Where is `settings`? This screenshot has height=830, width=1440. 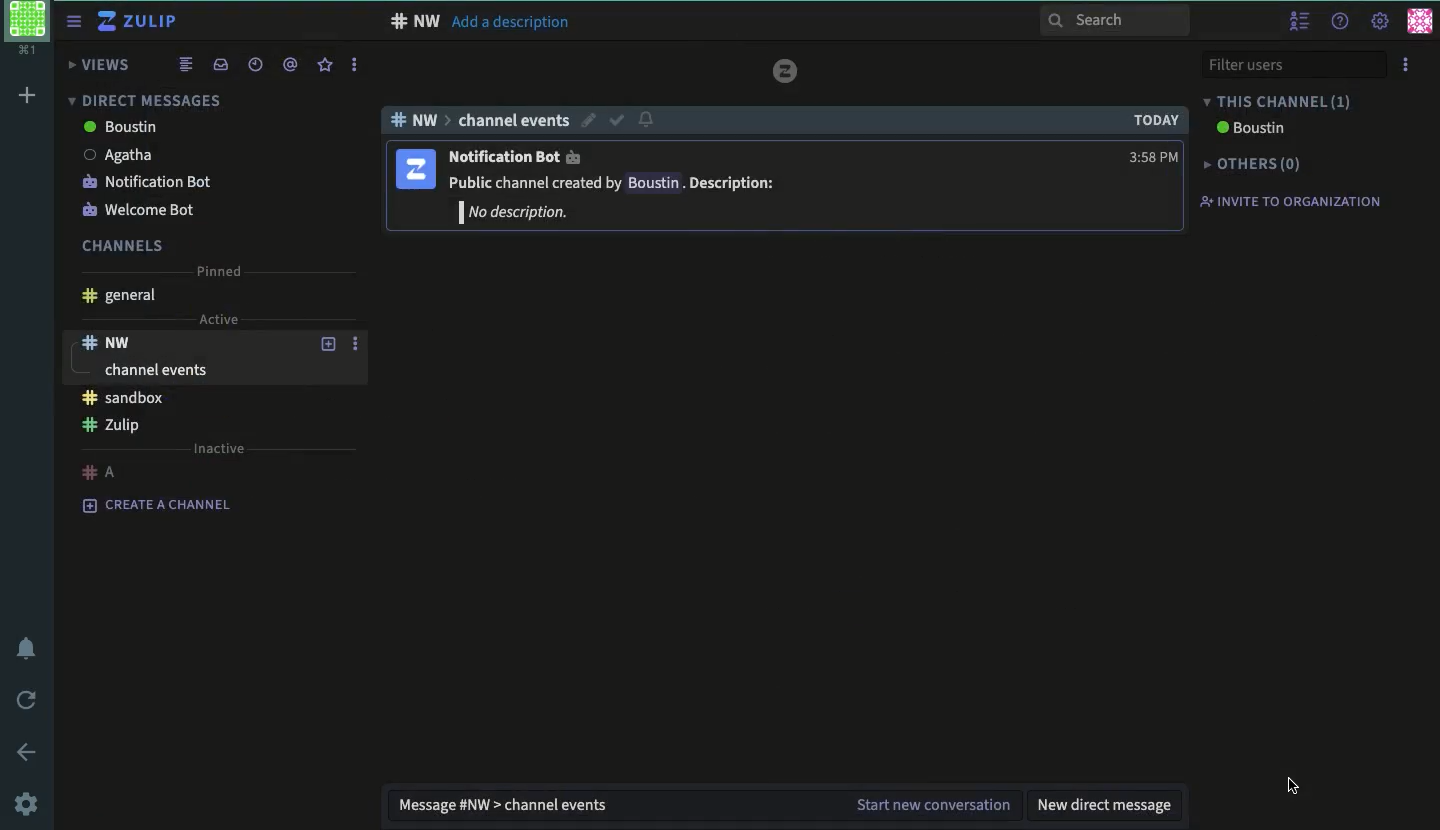
settings is located at coordinates (1379, 20).